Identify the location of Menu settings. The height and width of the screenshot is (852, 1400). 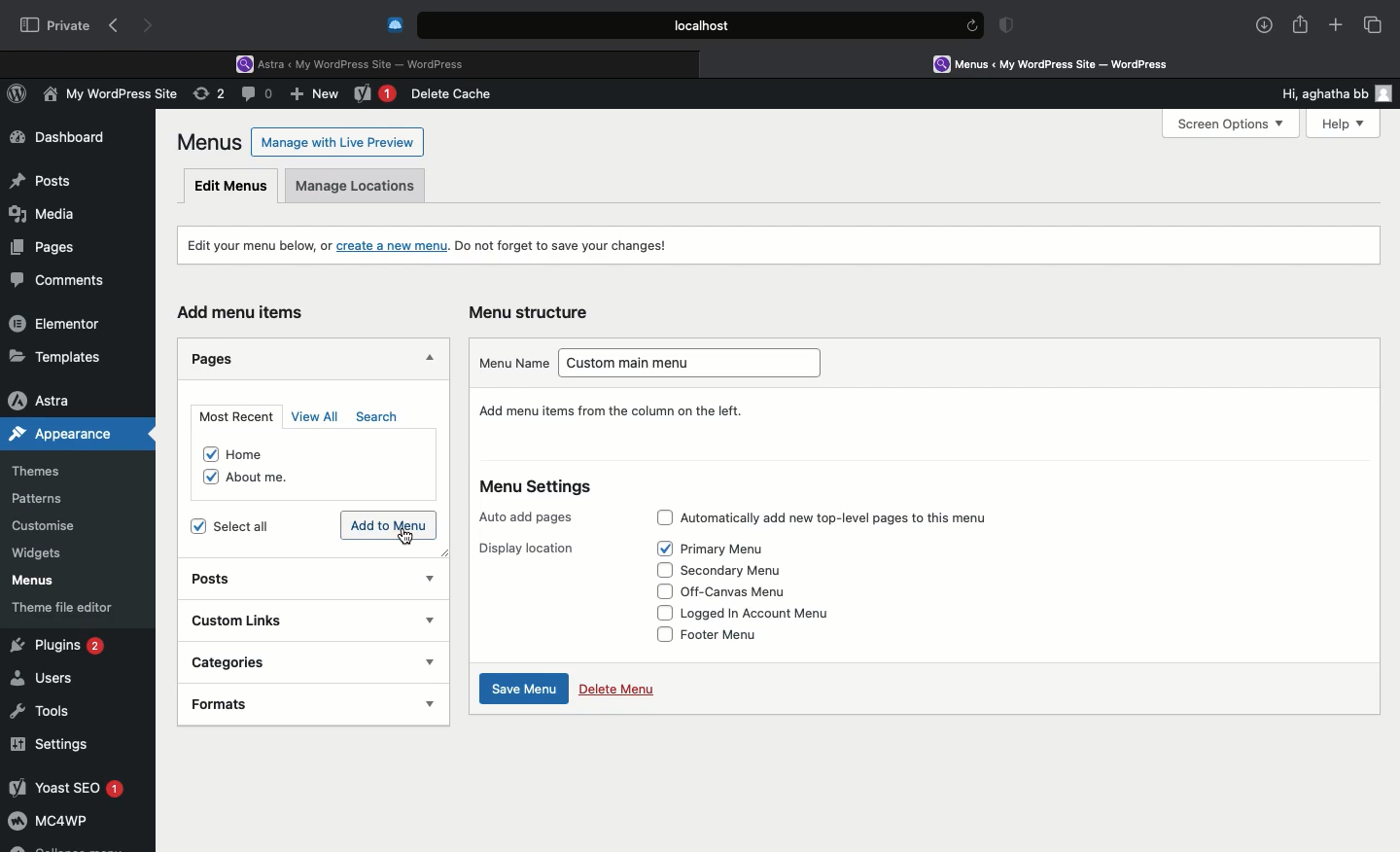
(546, 487).